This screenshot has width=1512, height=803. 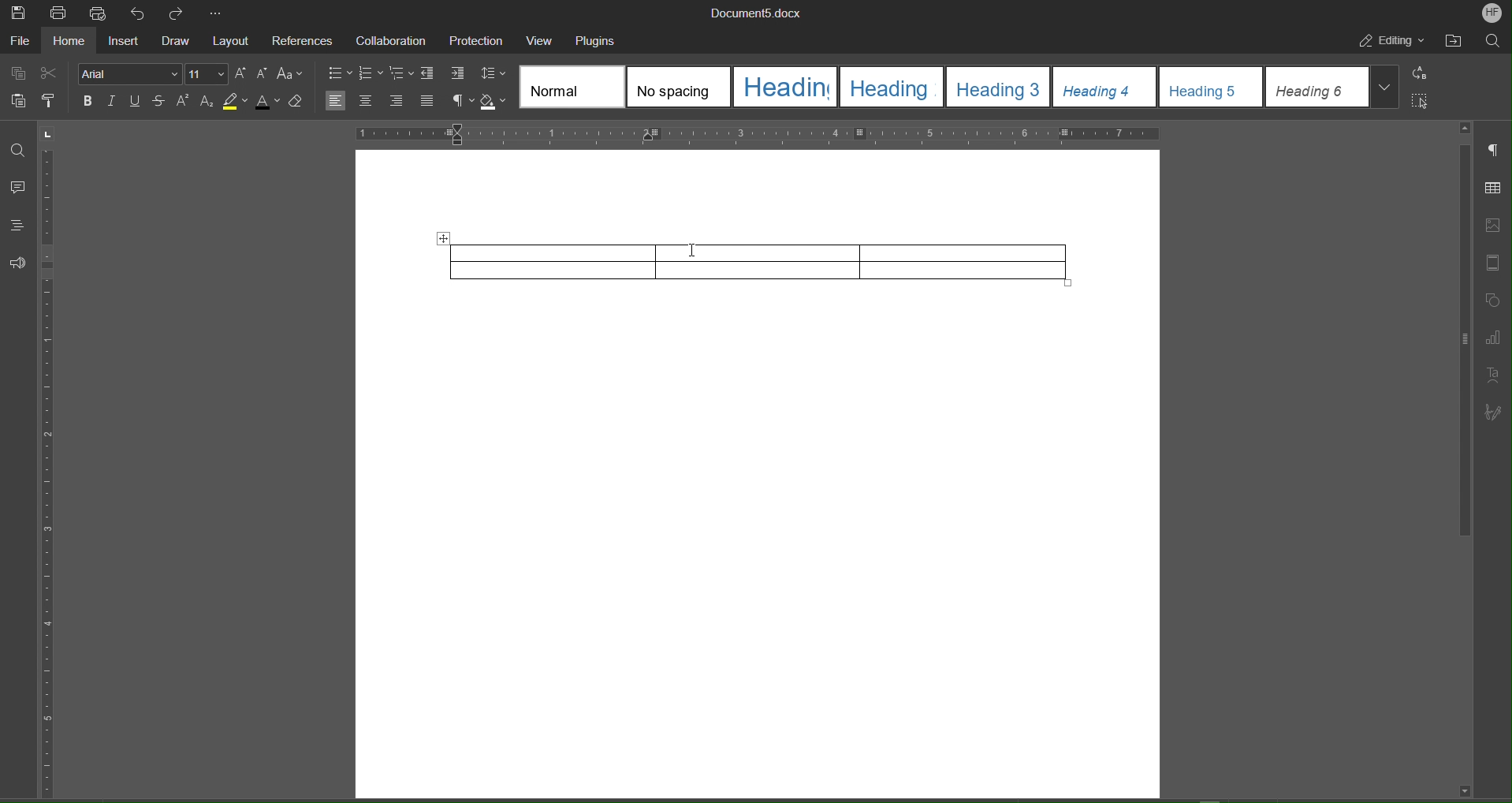 I want to click on Graph Settings, so click(x=1496, y=335).